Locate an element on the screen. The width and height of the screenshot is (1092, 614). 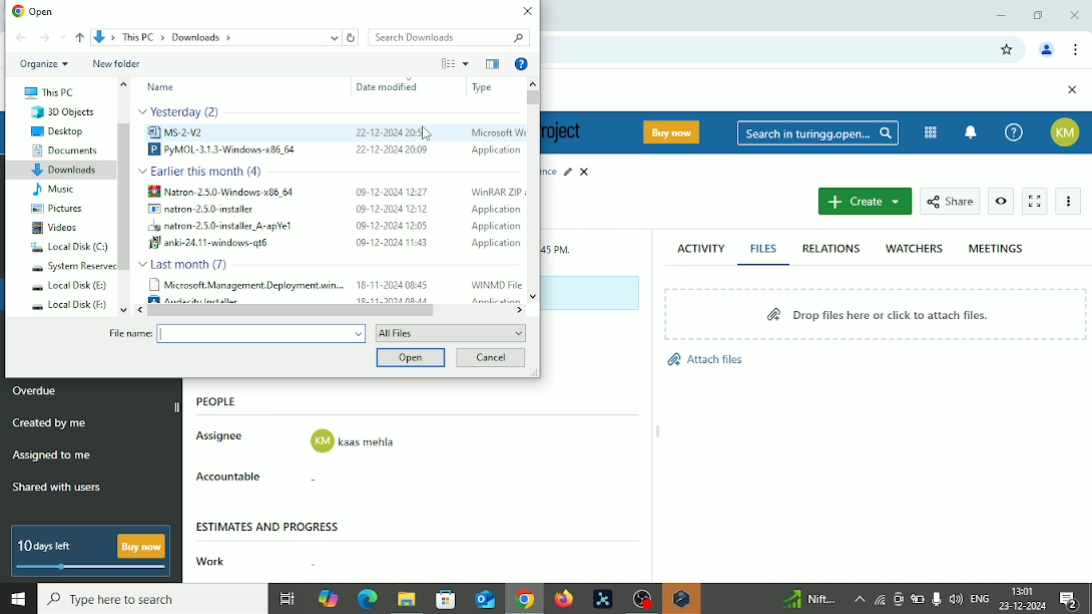
People is located at coordinates (223, 403).